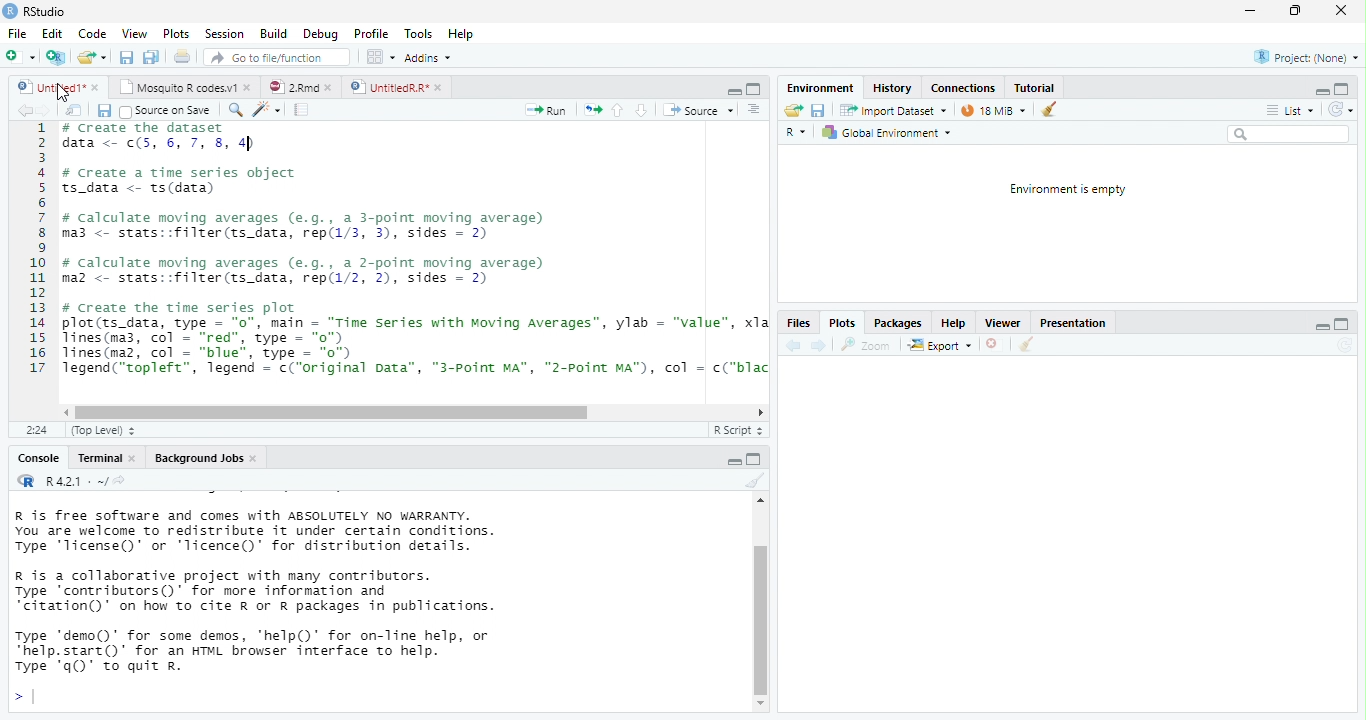  I want to click on Refresh, so click(1341, 110).